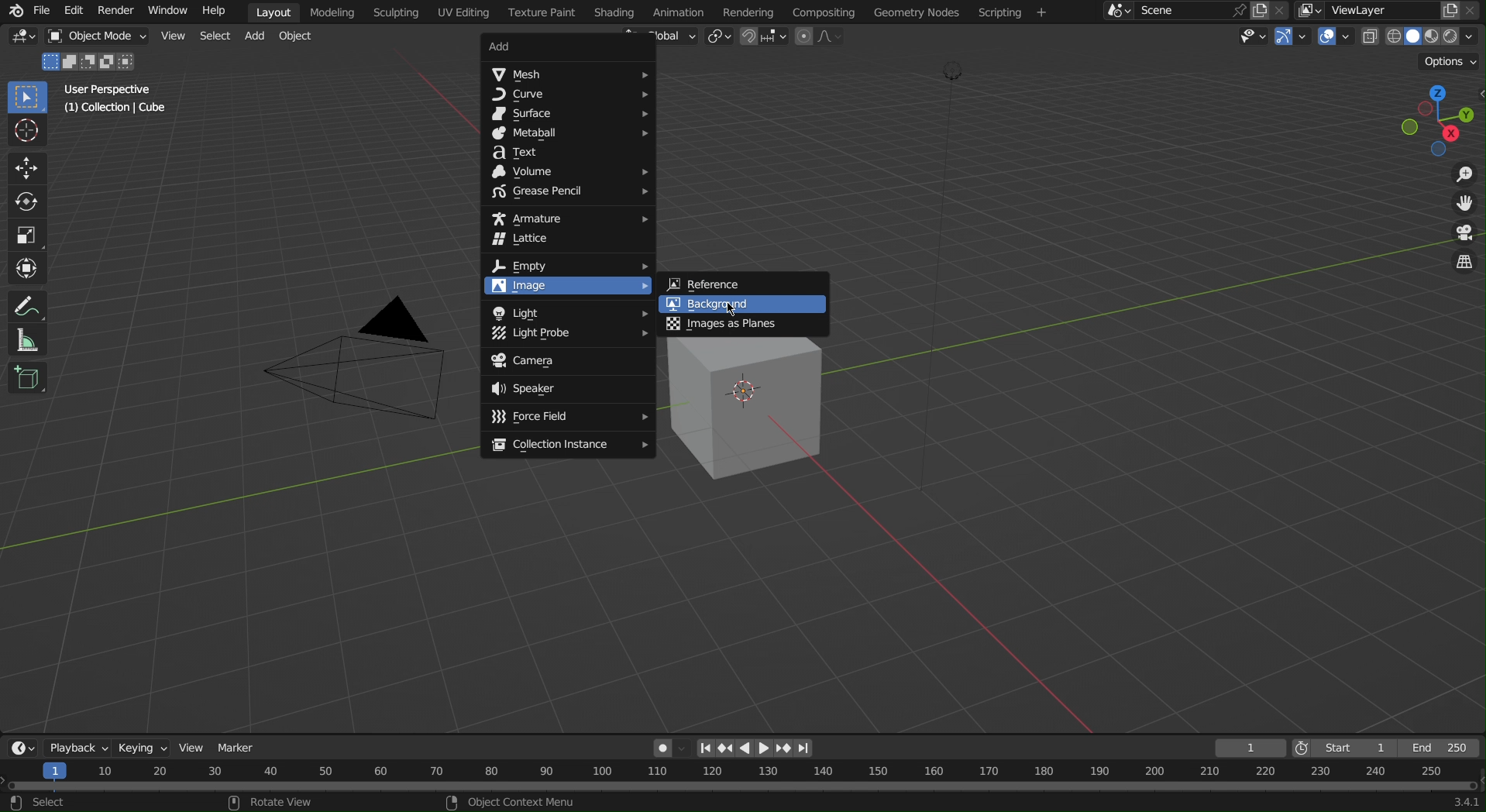 The image size is (1486, 812). What do you see at coordinates (566, 311) in the screenshot?
I see `Light` at bounding box center [566, 311].